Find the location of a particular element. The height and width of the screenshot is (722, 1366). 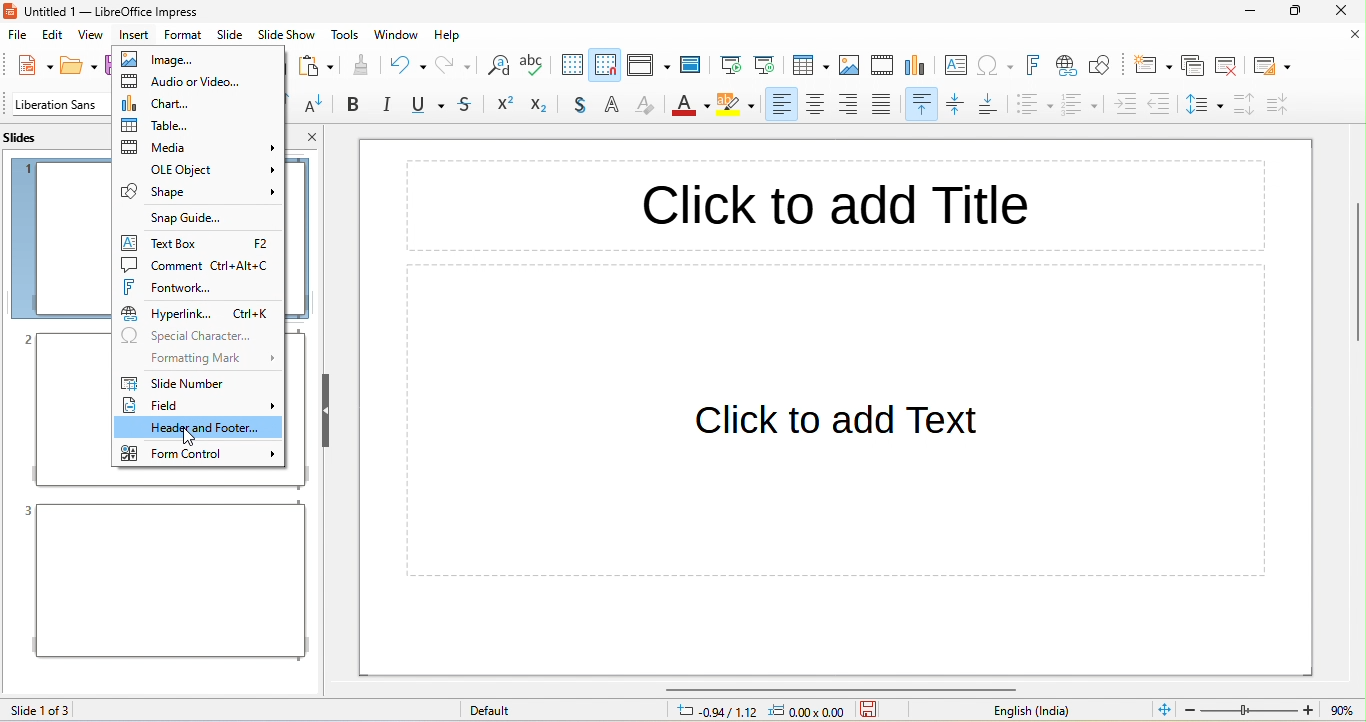

set line spacing is located at coordinates (1204, 107).